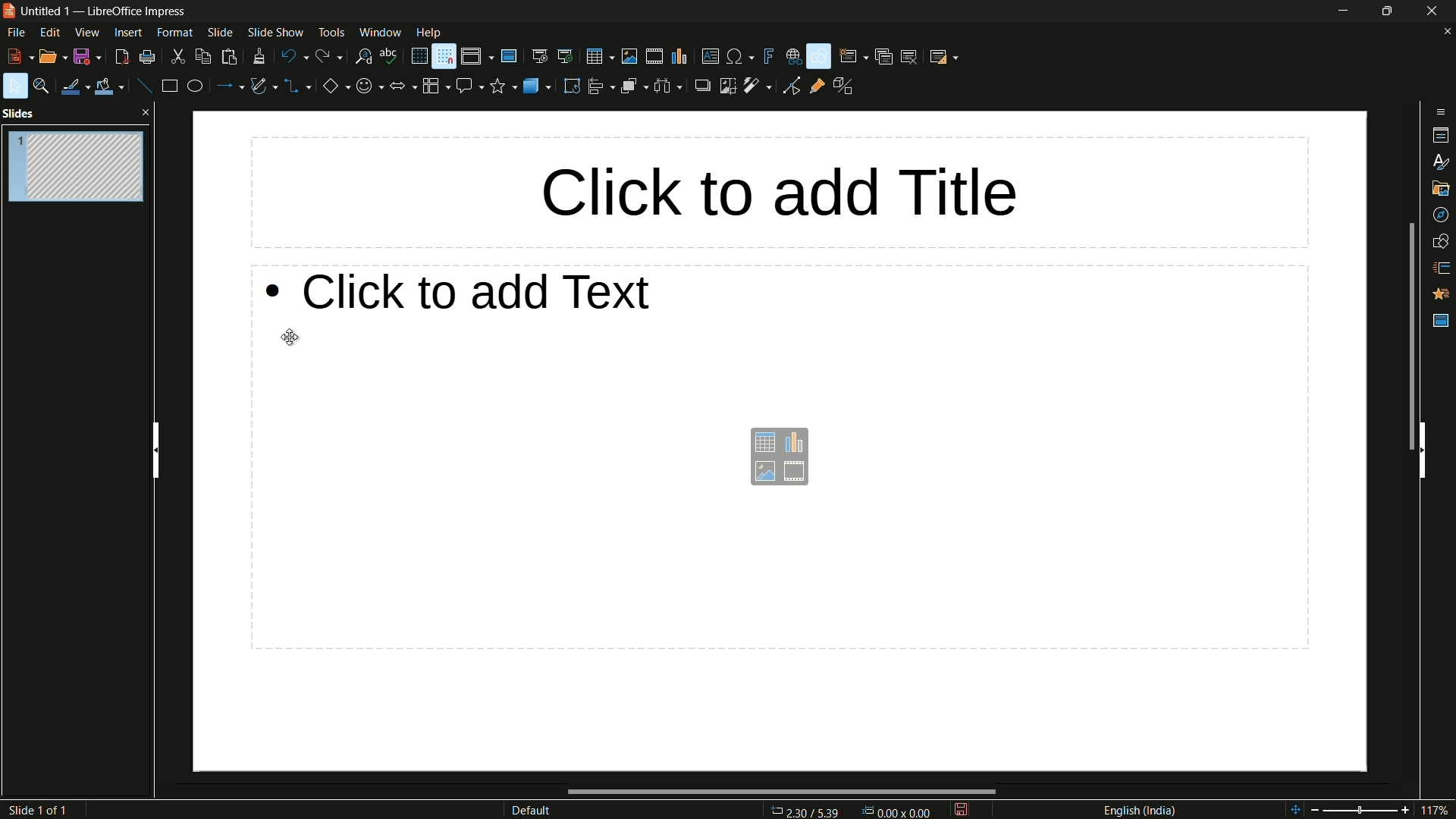 The width and height of the screenshot is (1456, 819). Describe the element at coordinates (293, 55) in the screenshot. I see `undo` at that location.